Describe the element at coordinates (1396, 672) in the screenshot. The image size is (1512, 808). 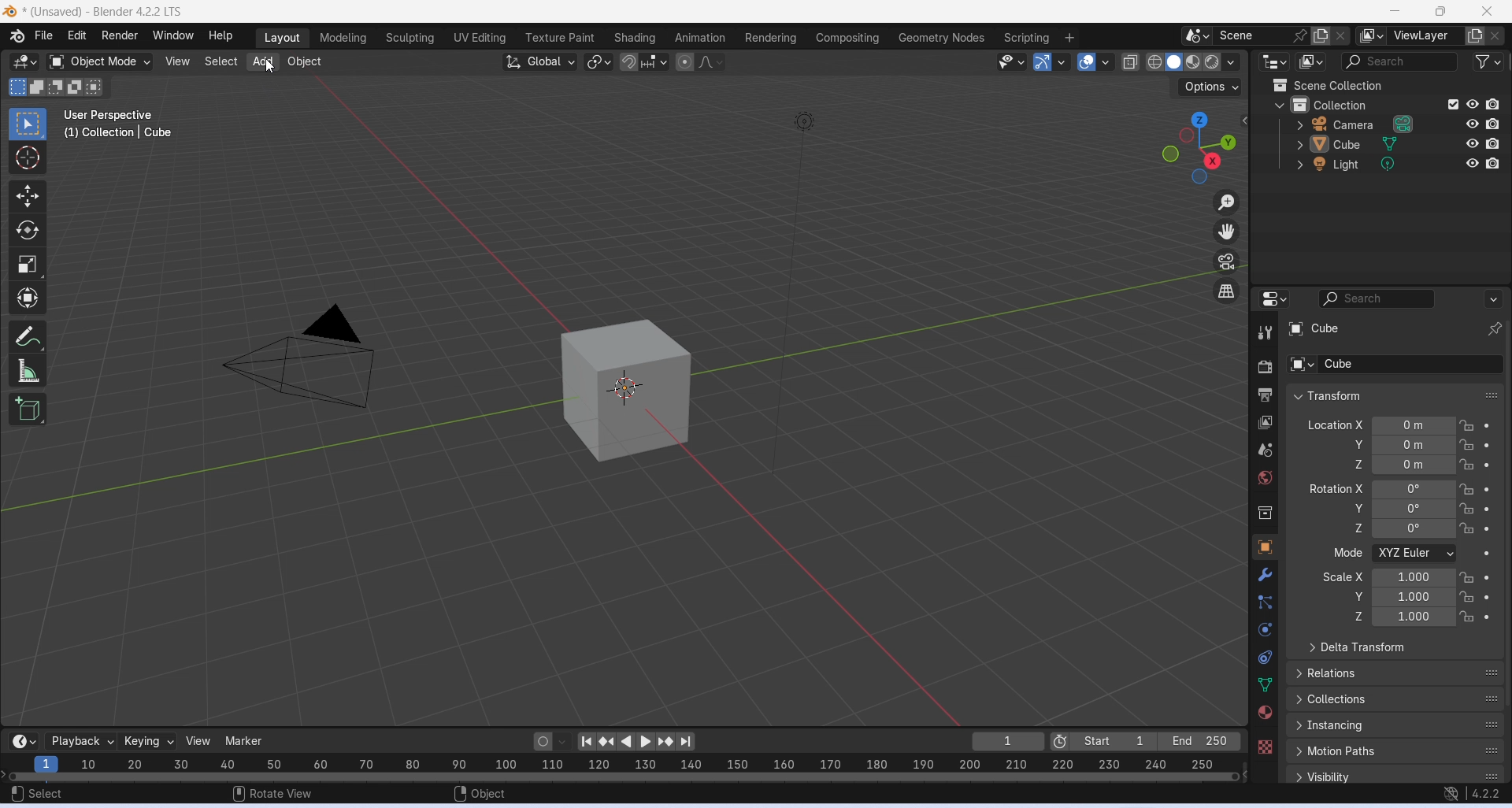
I see `relations` at that location.